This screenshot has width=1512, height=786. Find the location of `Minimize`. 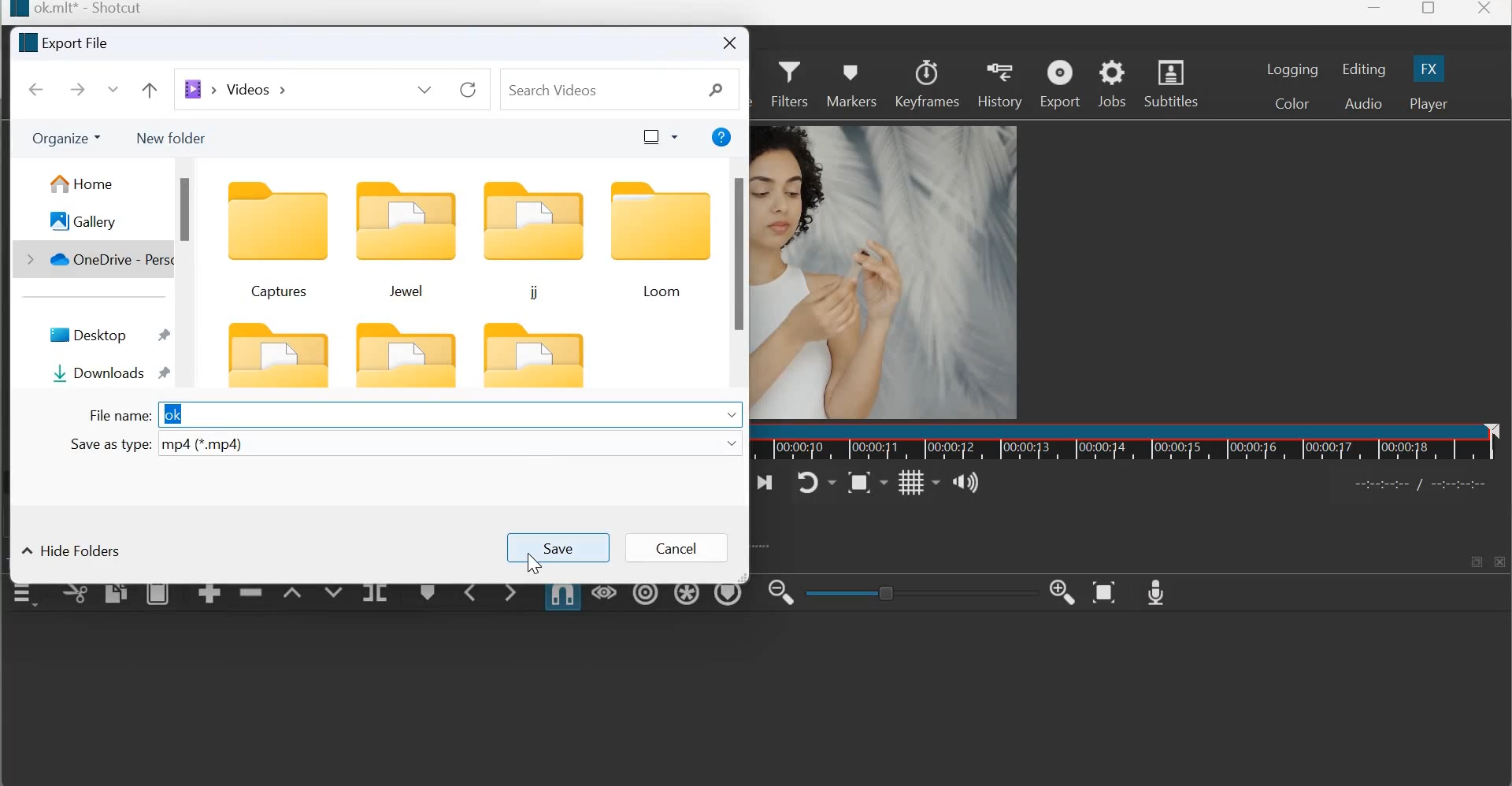

Minimize is located at coordinates (1375, 13).